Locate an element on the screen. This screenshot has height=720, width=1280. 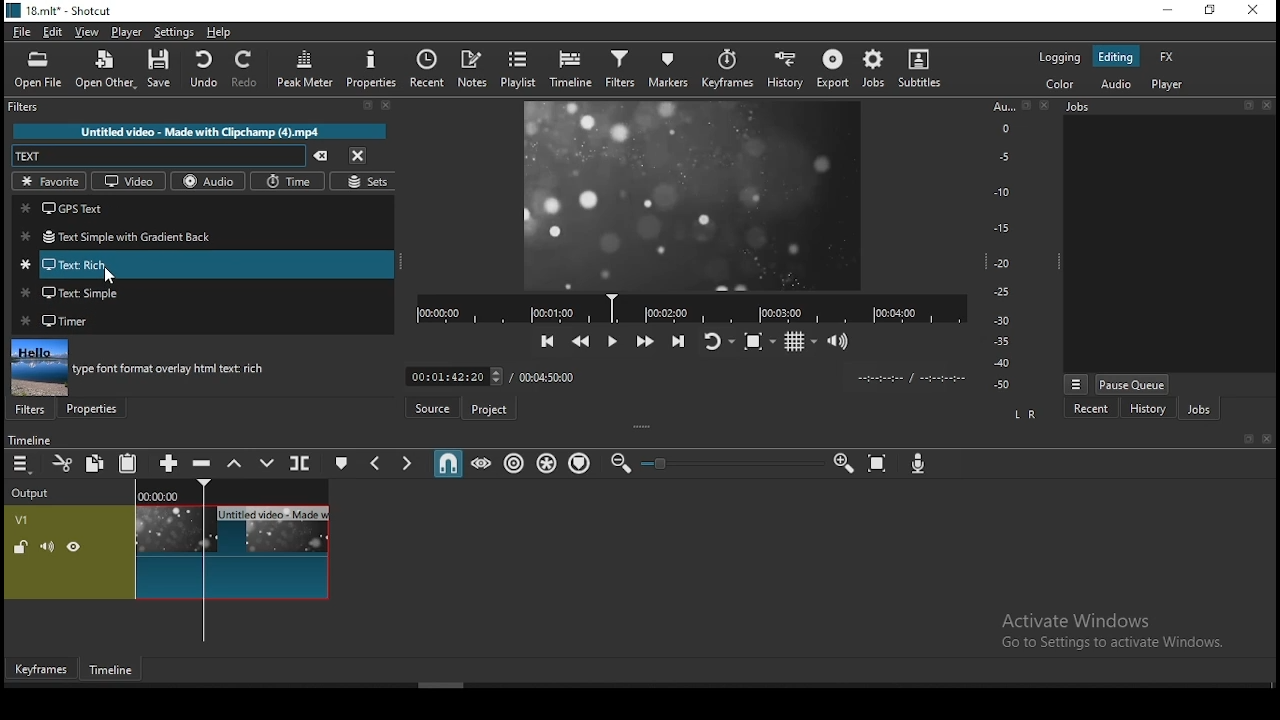
source is located at coordinates (431, 407).